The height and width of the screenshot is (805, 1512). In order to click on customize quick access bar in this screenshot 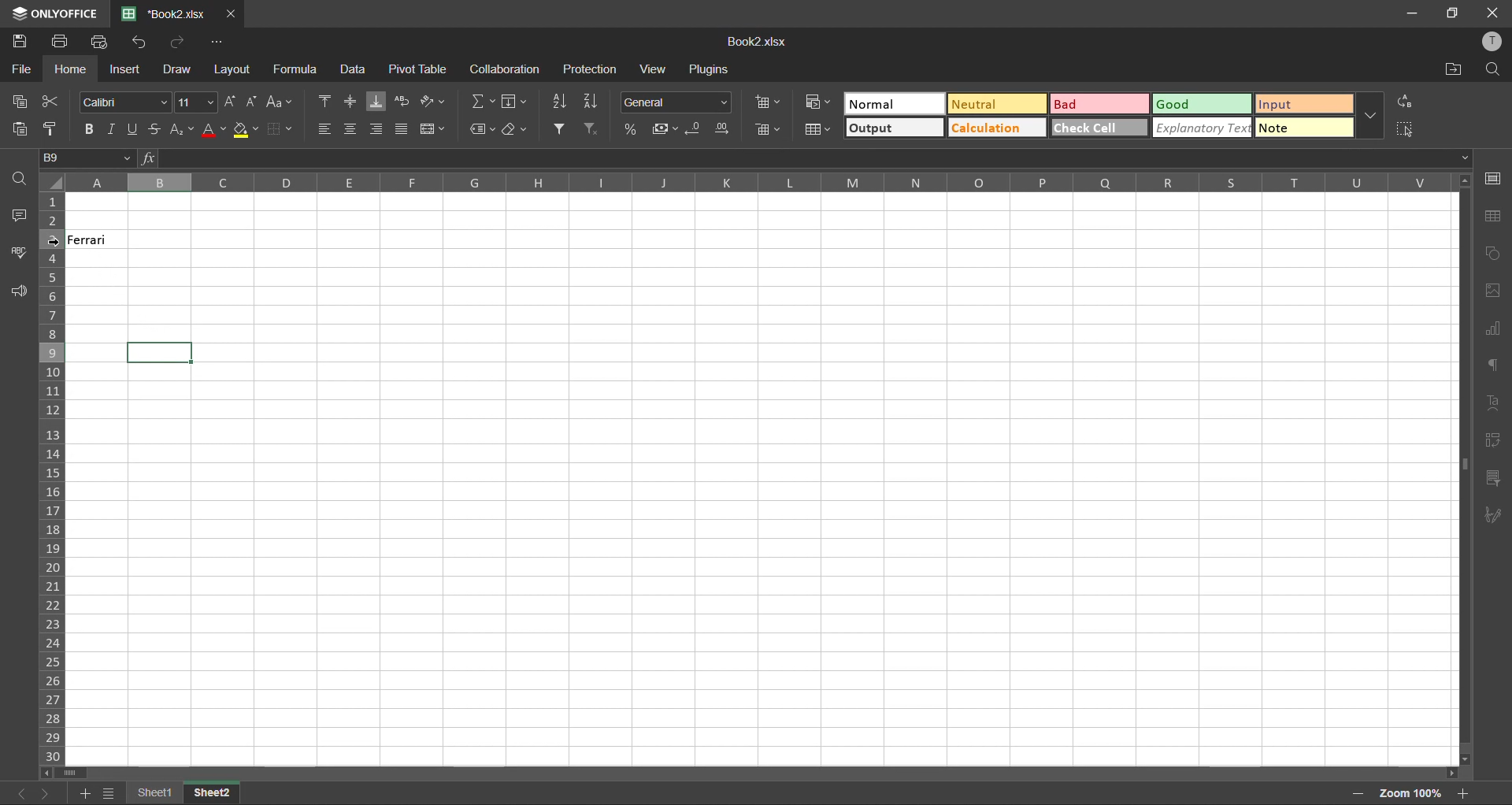, I will do `click(217, 43)`.